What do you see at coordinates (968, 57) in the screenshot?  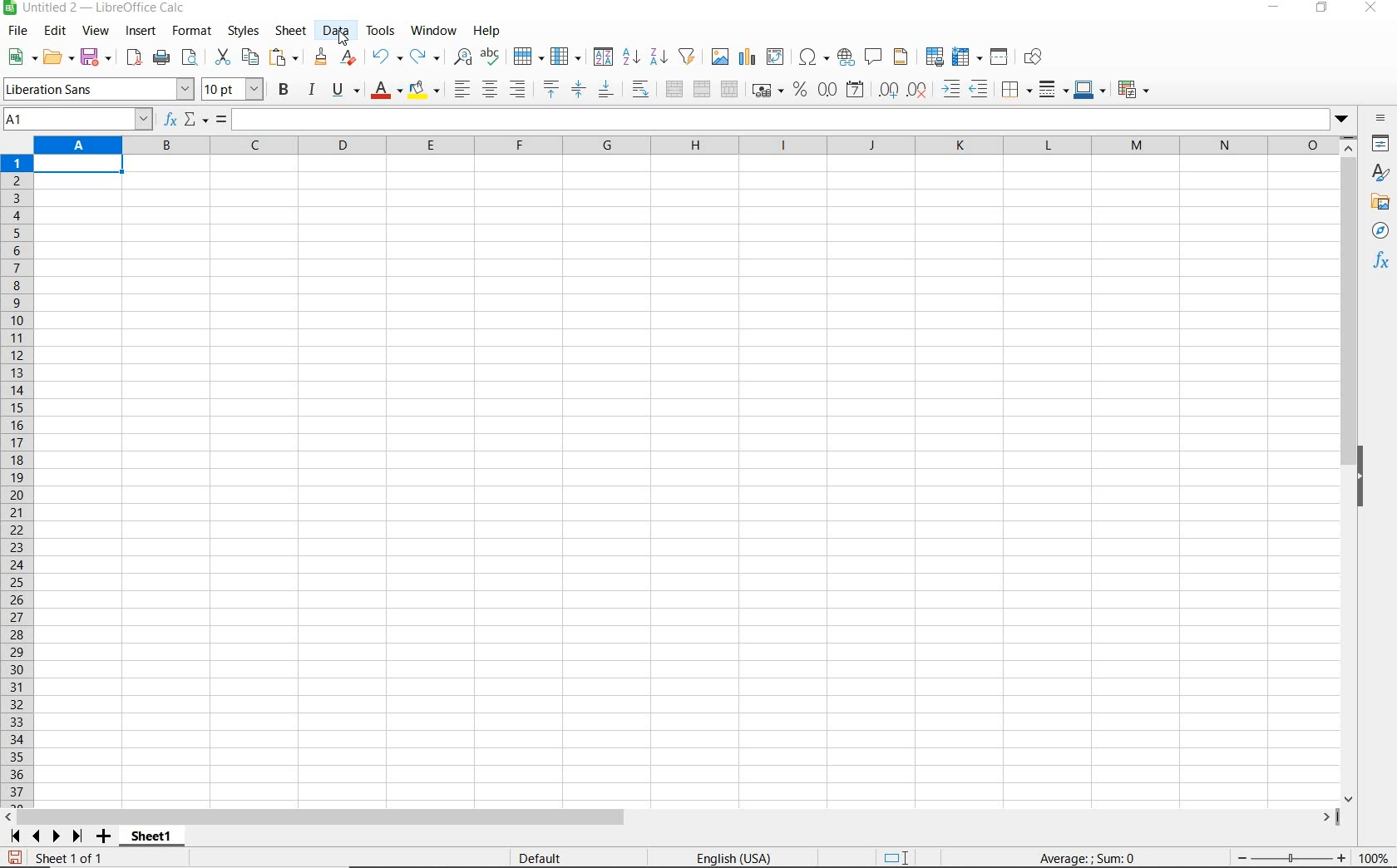 I see `freeze rows and columns` at bounding box center [968, 57].